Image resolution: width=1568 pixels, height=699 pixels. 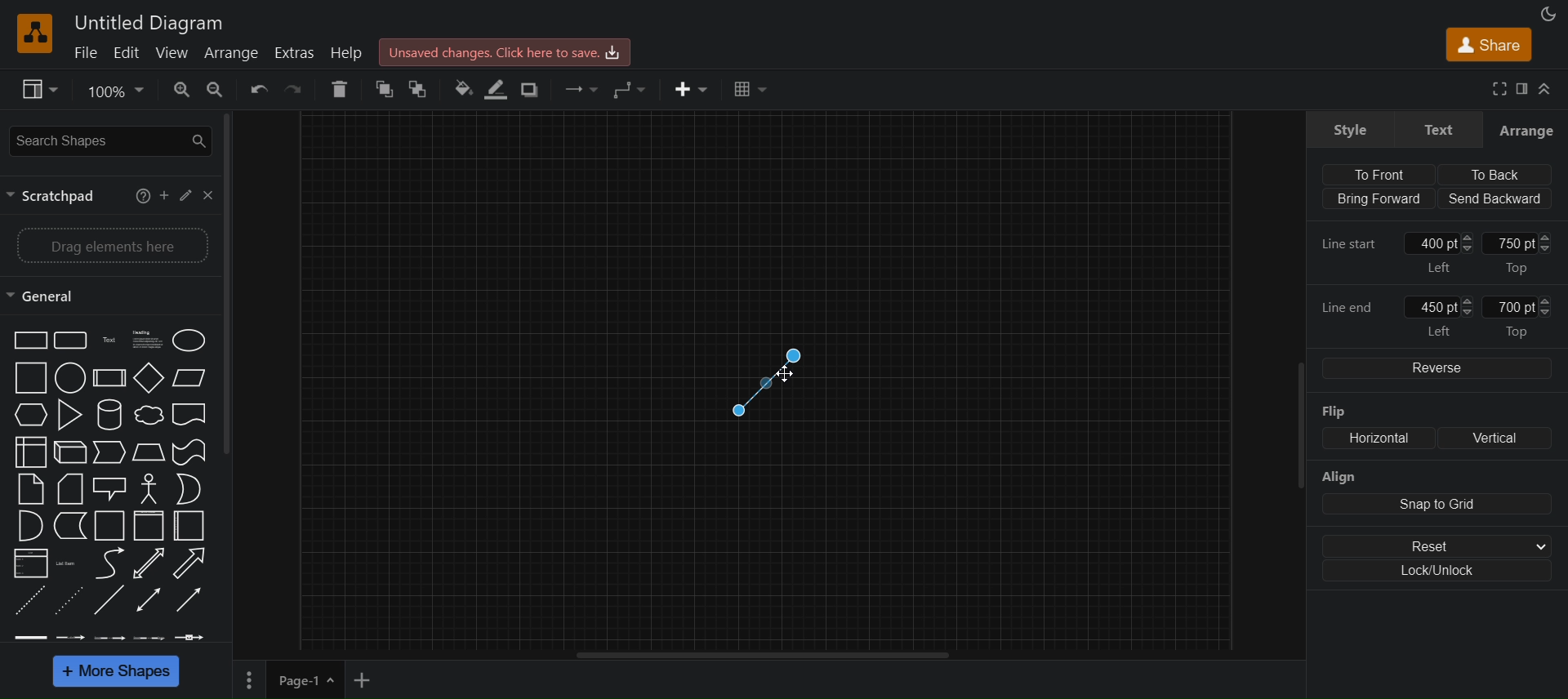 What do you see at coordinates (1436, 127) in the screenshot?
I see `text` at bounding box center [1436, 127].